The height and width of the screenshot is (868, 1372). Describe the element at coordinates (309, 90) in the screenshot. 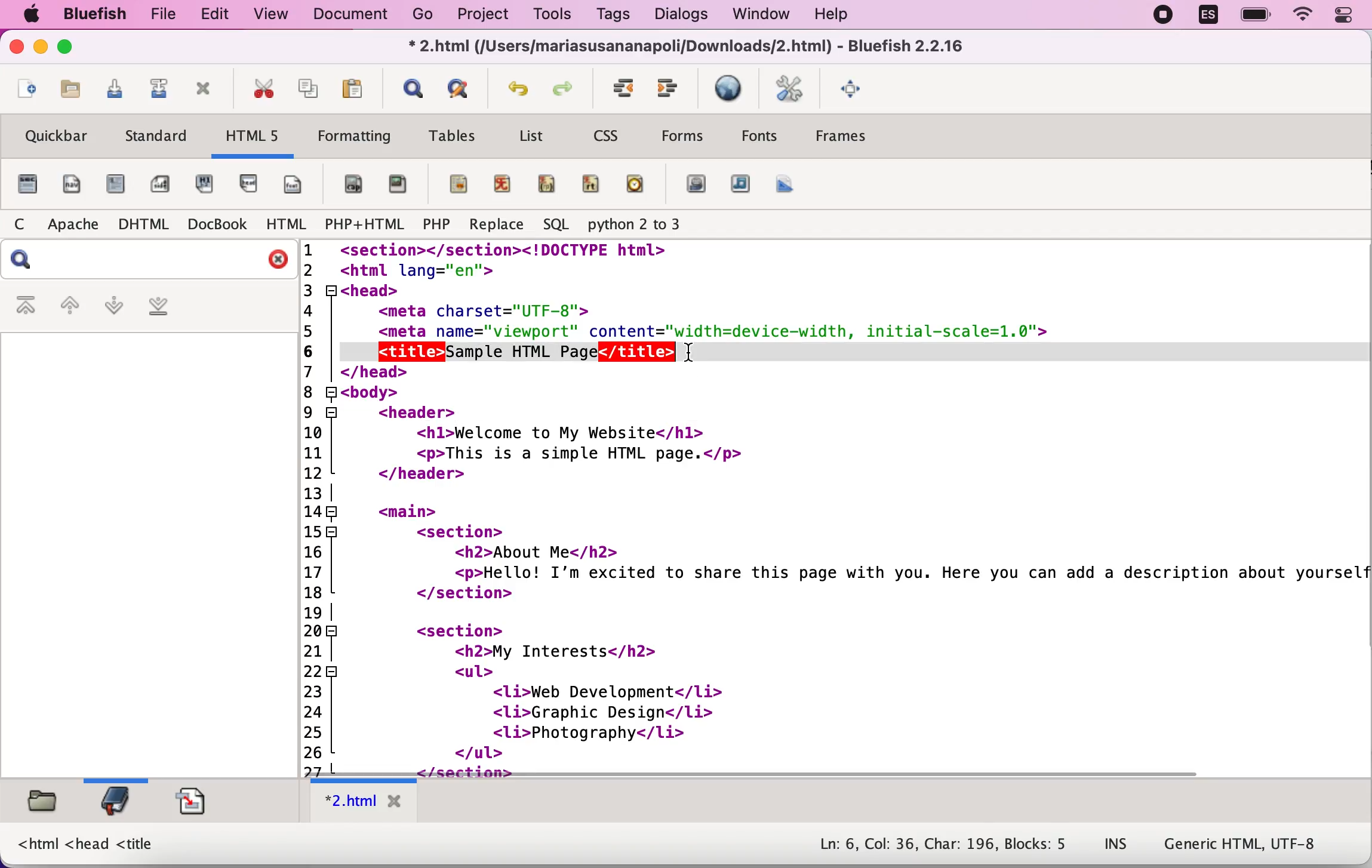

I see `copy` at that location.